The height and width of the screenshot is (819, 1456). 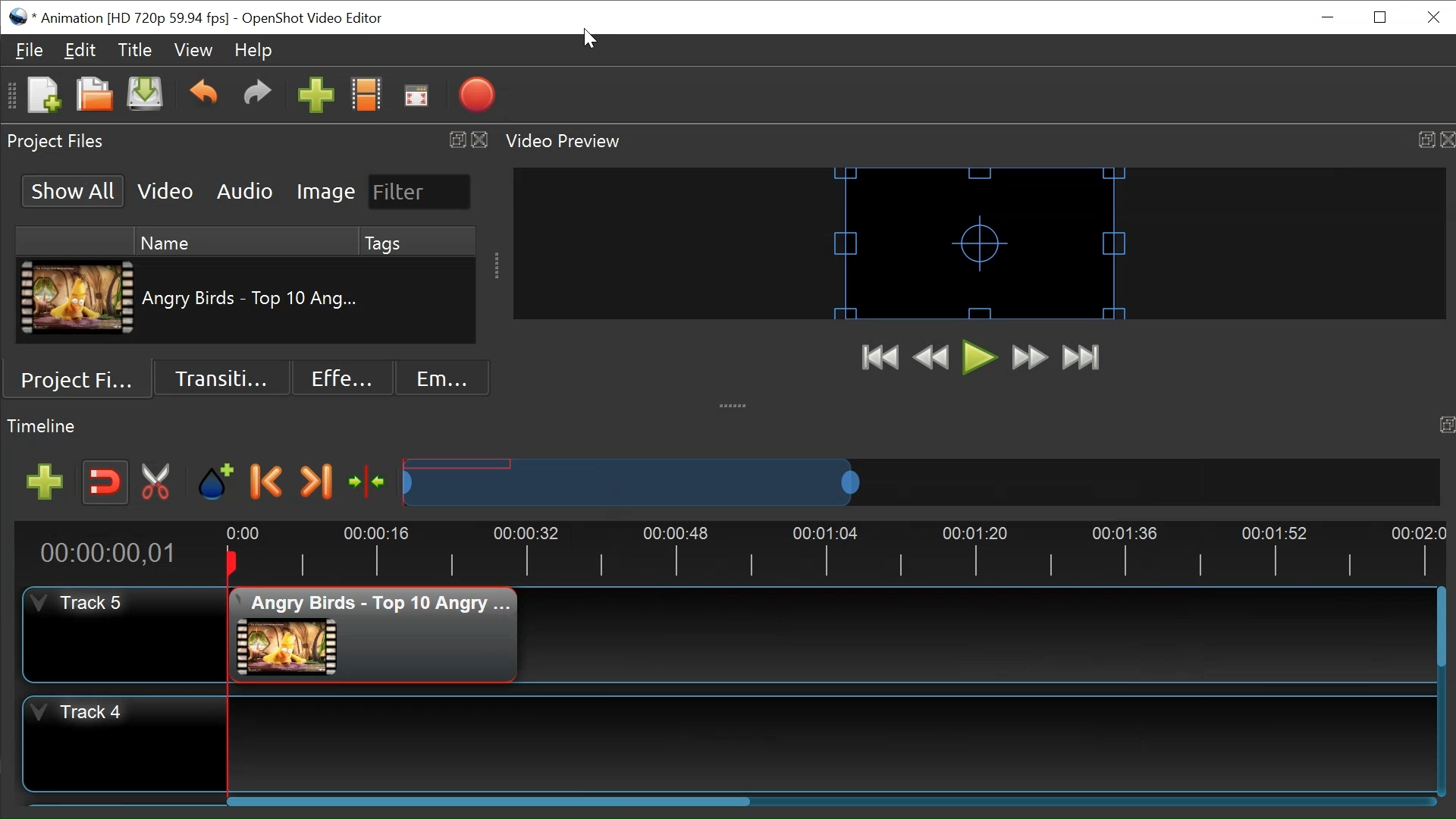 I want to click on Clip Name, so click(x=249, y=298).